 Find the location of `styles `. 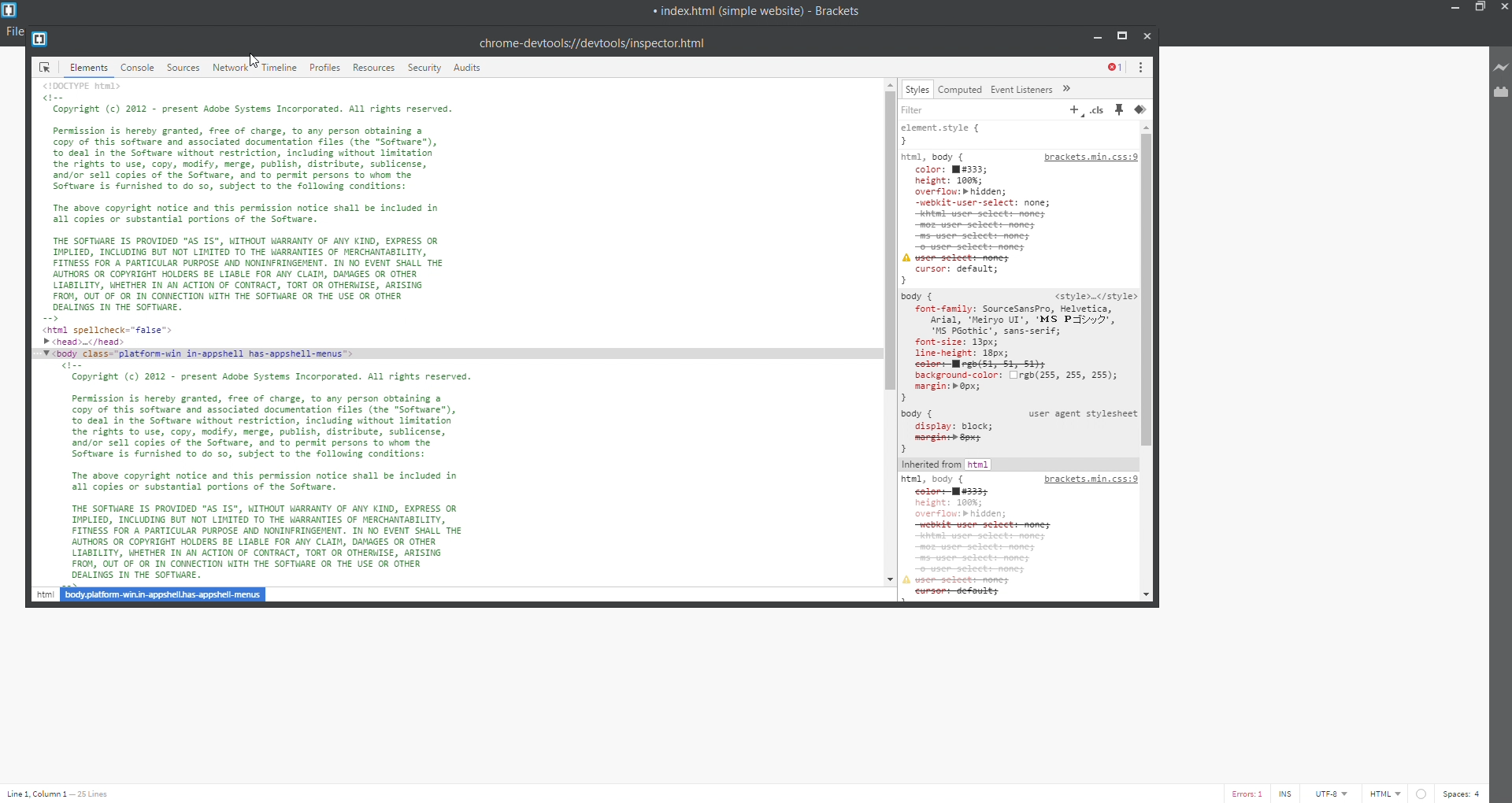

styles  is located at coordinates (914, 91).